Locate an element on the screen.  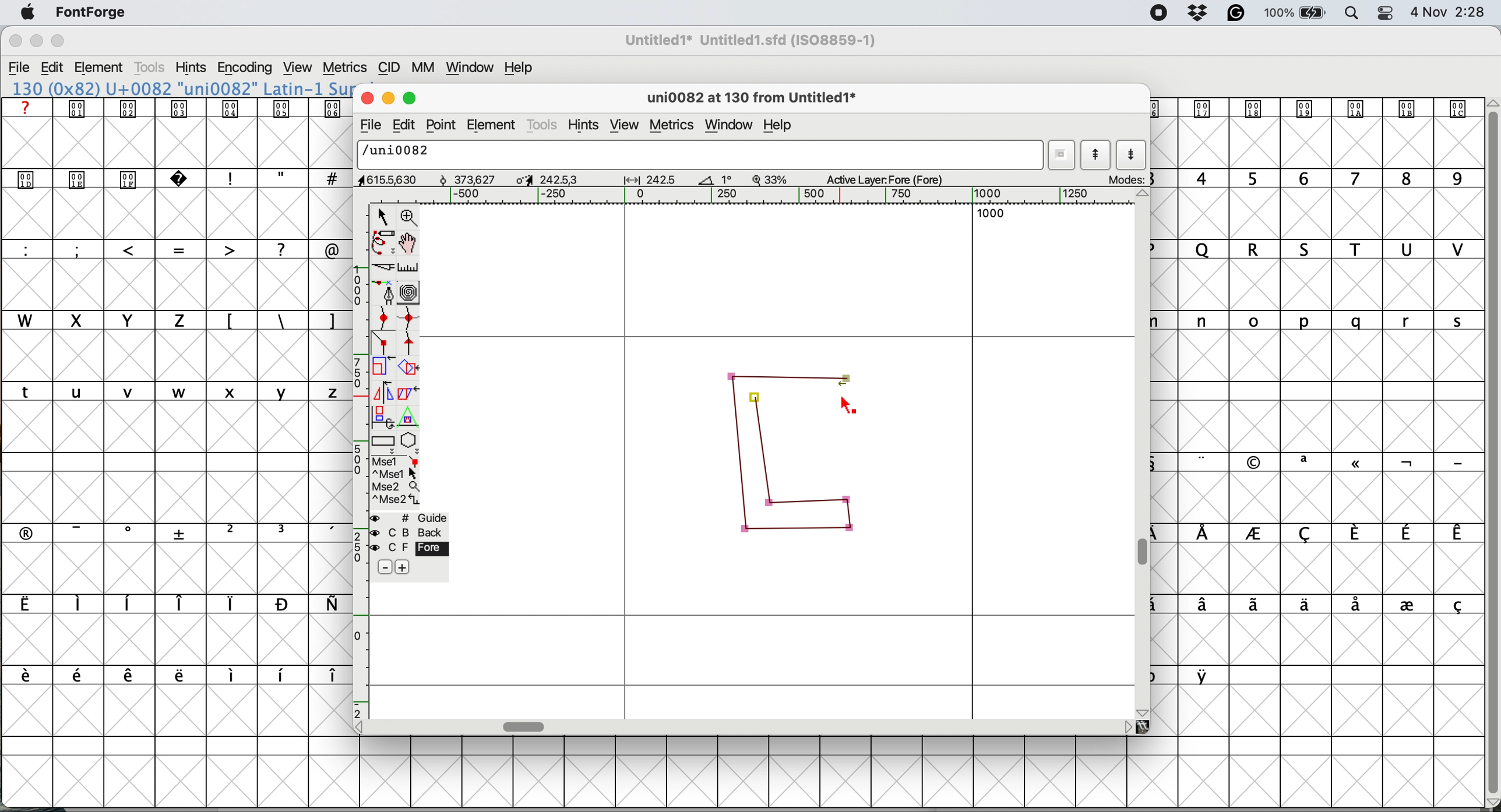
symbols and special characters is located at coordinates (185, 180).